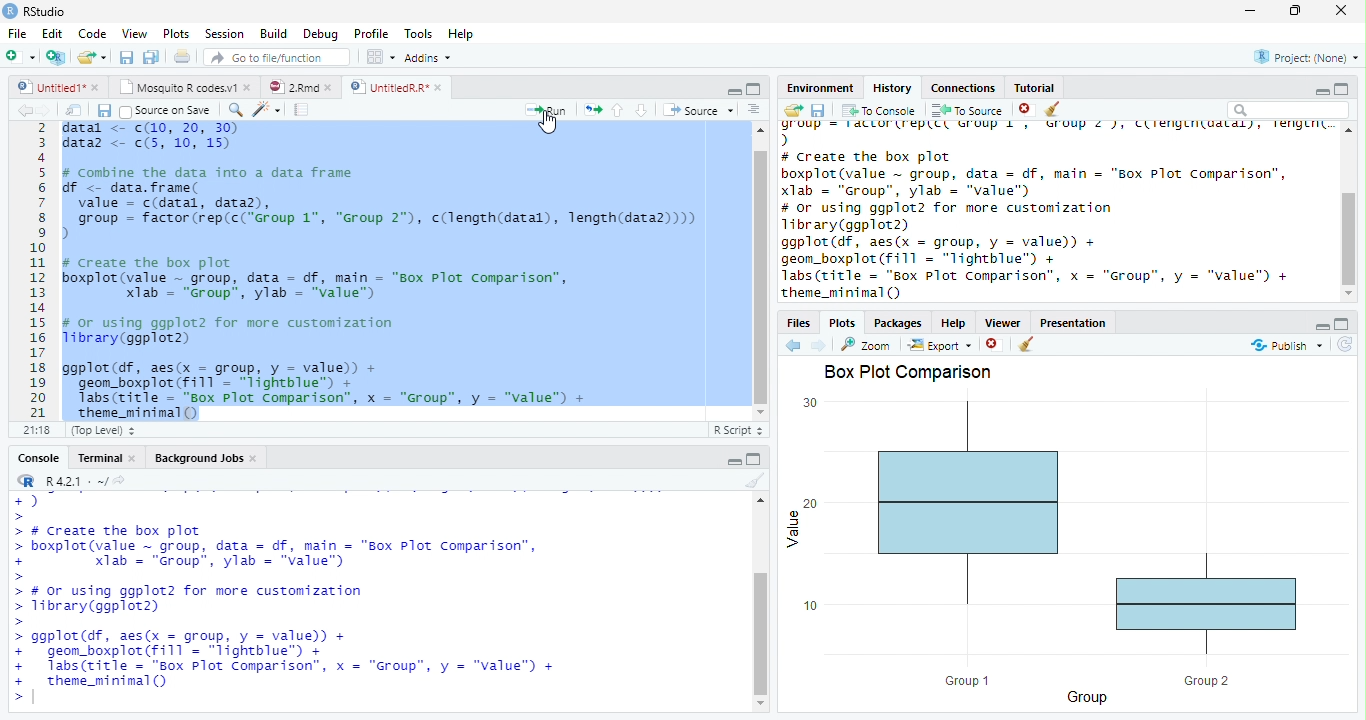 This screenshot has height=720, width=1366. Describe the element at coordinates (168, 111) in the screenshot. I see `Source on Save` at that location.